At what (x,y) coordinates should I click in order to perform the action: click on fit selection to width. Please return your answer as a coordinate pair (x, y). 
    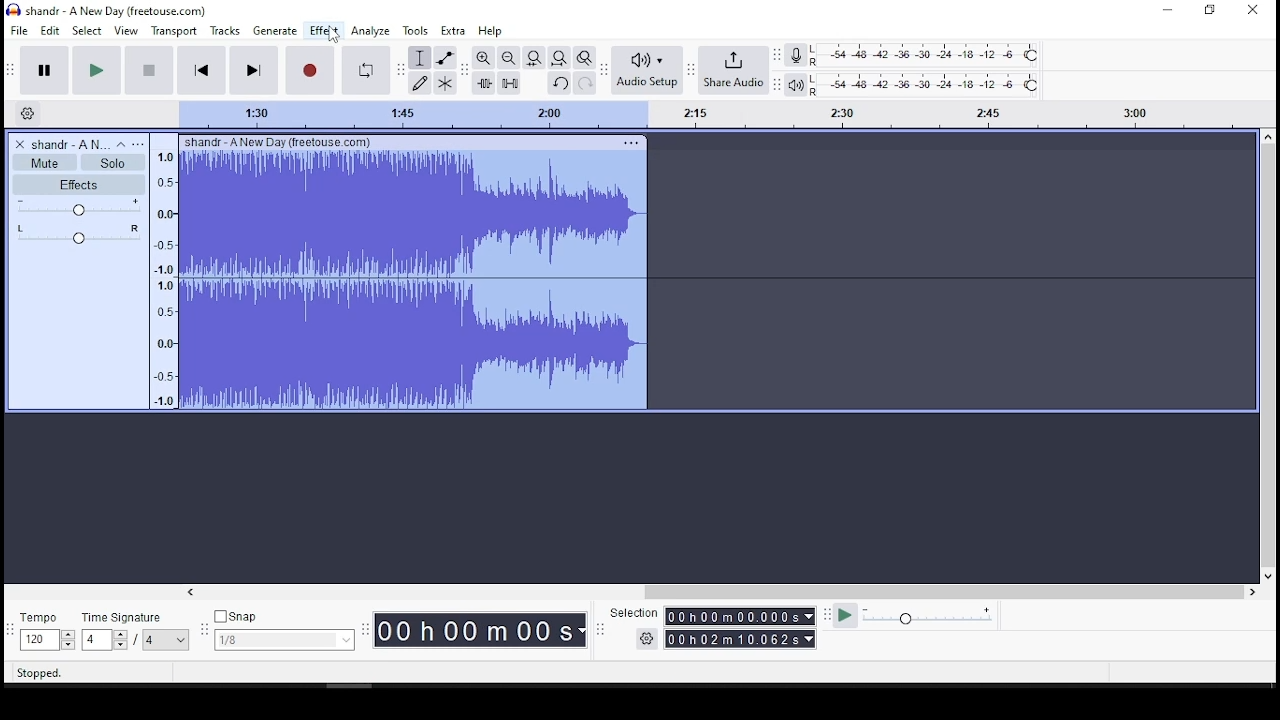
    Looking at the image, I should click on (533, 57).